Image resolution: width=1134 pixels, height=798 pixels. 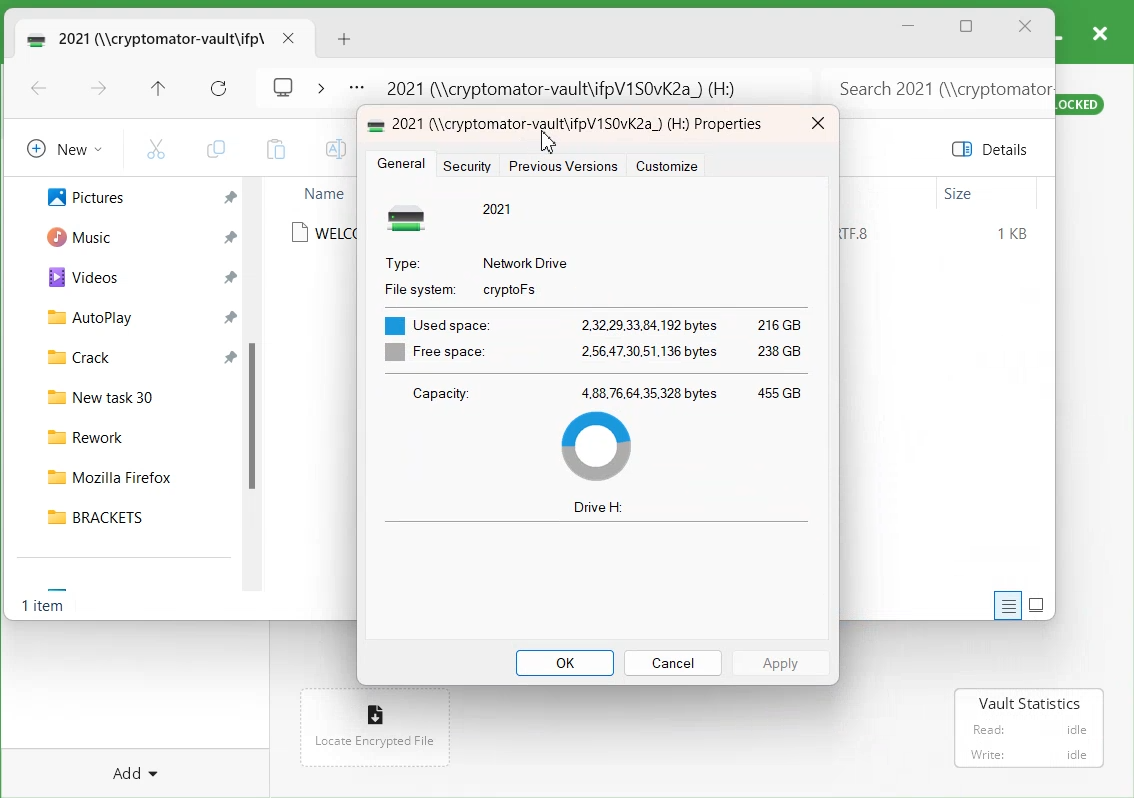 I want to click on Previous Versions, so click(x=562, y=166).